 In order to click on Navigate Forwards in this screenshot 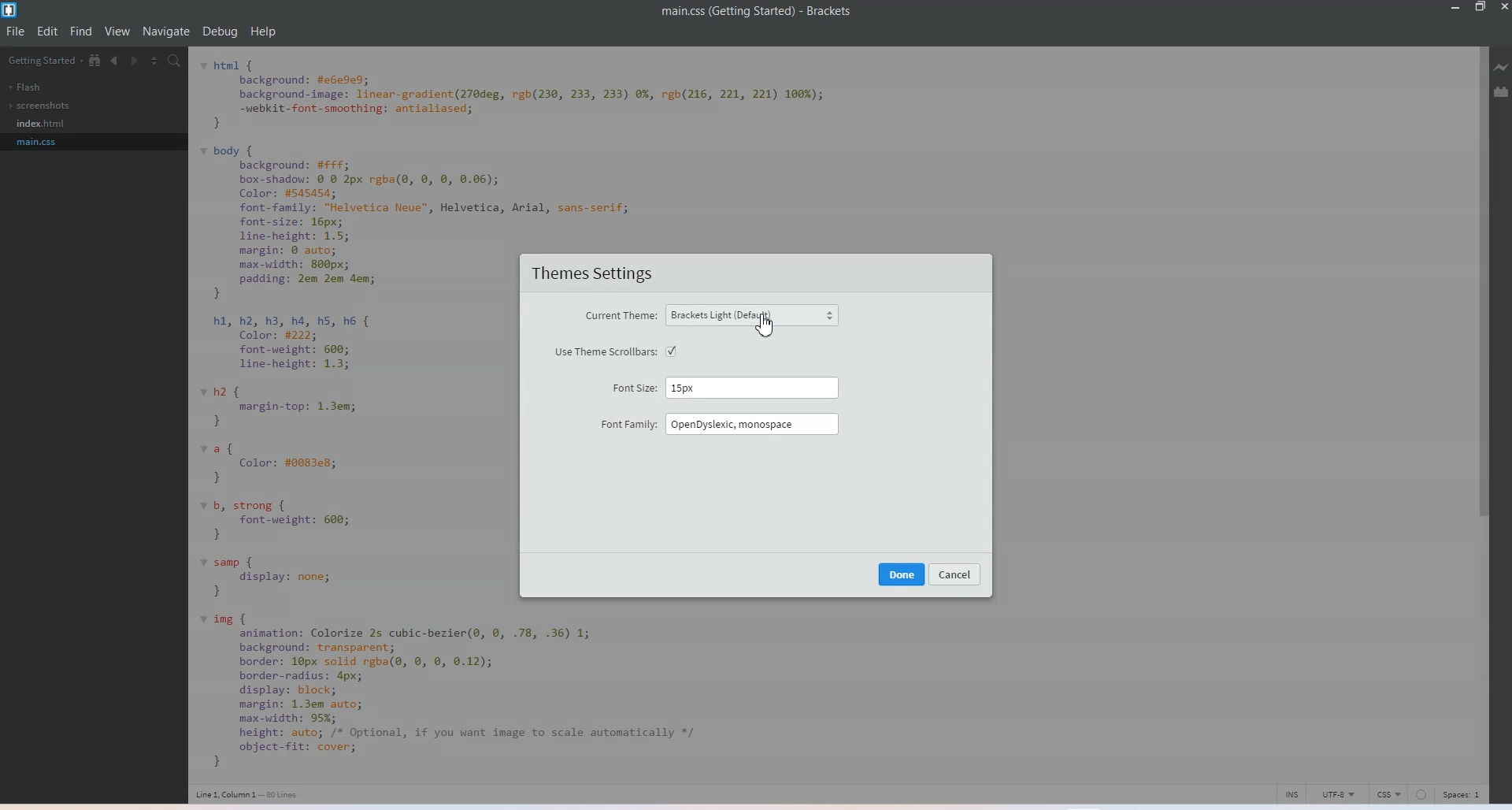, I will do `click(132, 61)`.